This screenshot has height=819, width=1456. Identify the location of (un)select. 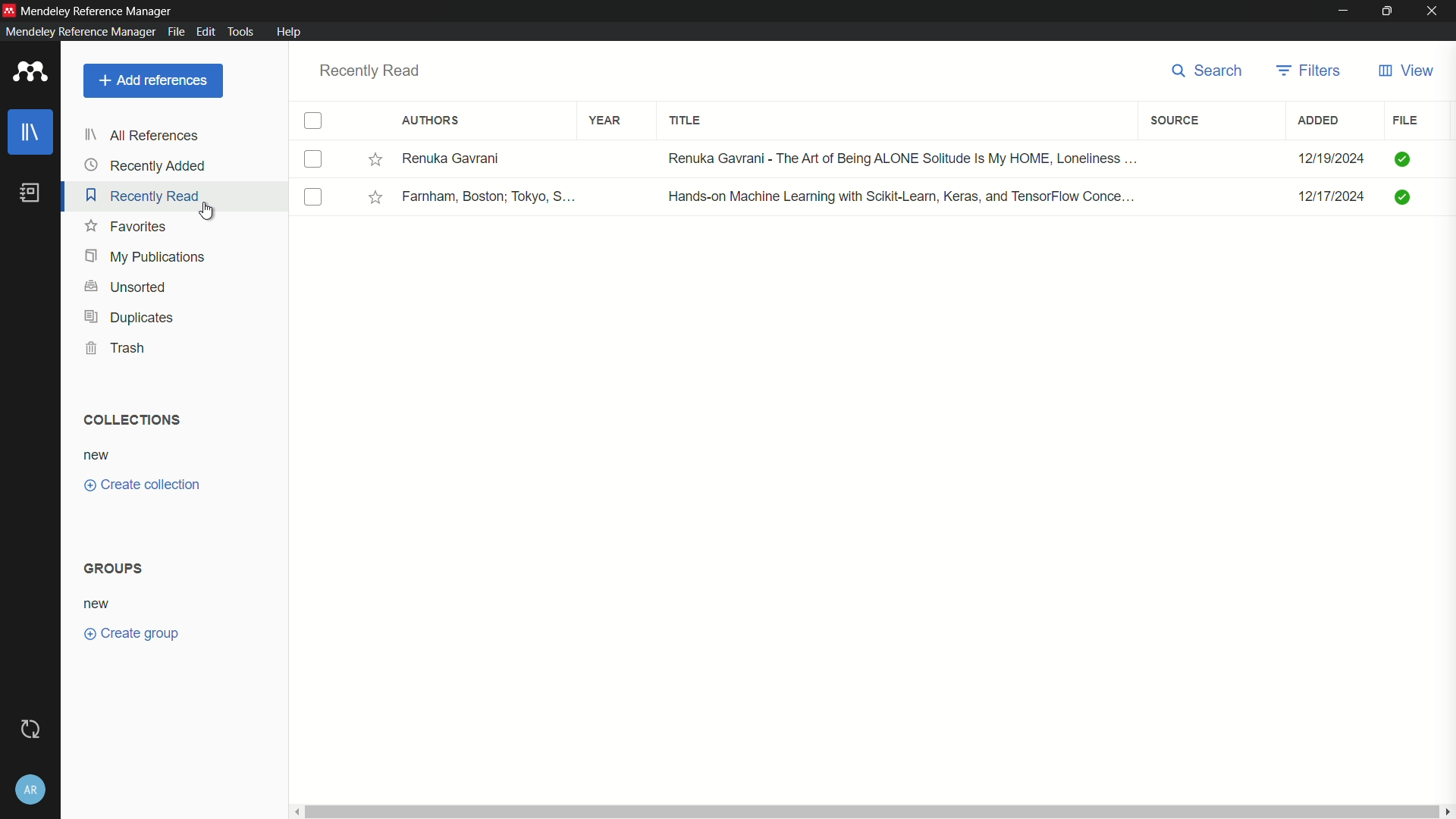
(314, 121).